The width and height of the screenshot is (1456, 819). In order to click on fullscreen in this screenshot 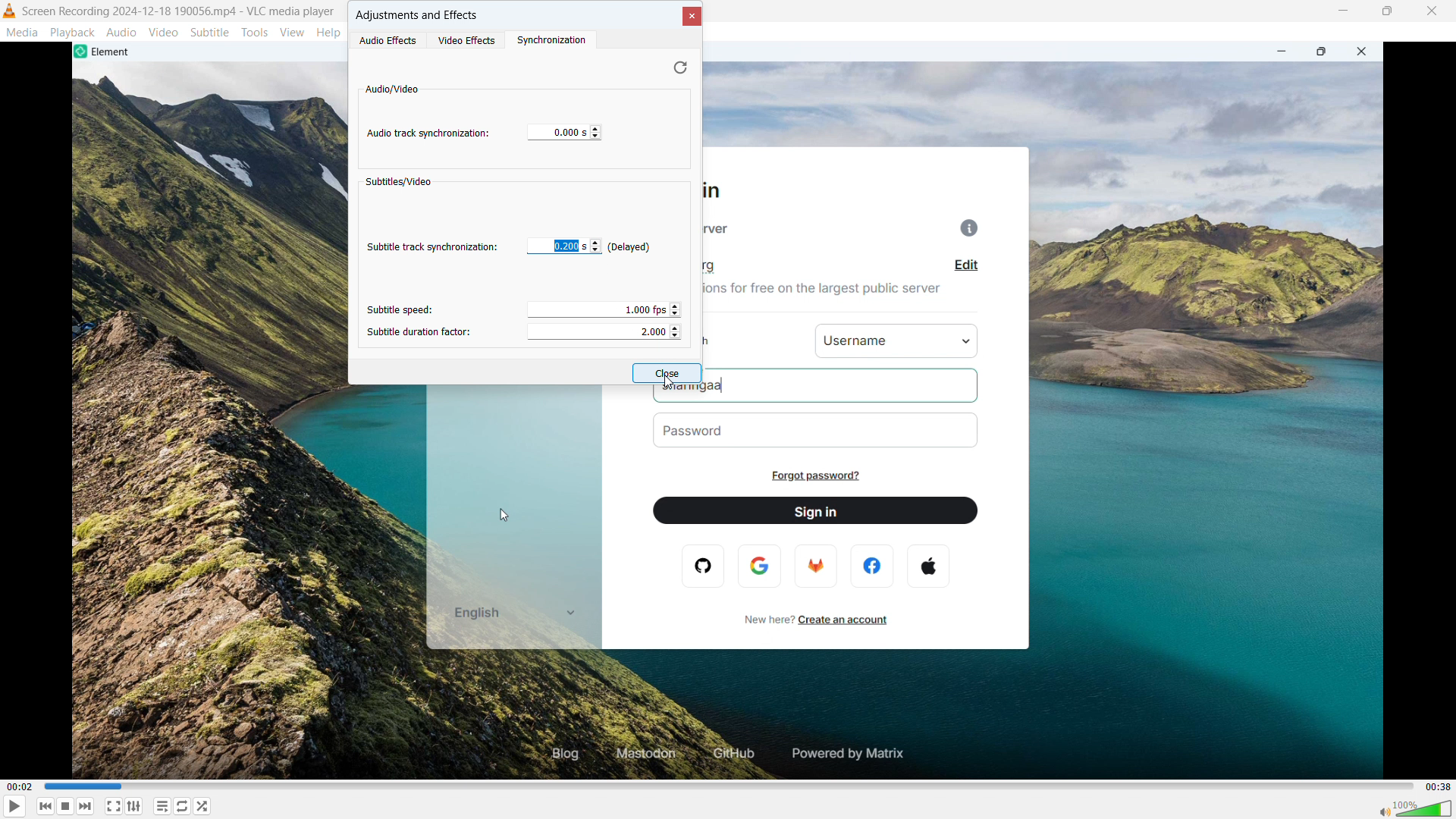, I will do `click(113, 806)`.